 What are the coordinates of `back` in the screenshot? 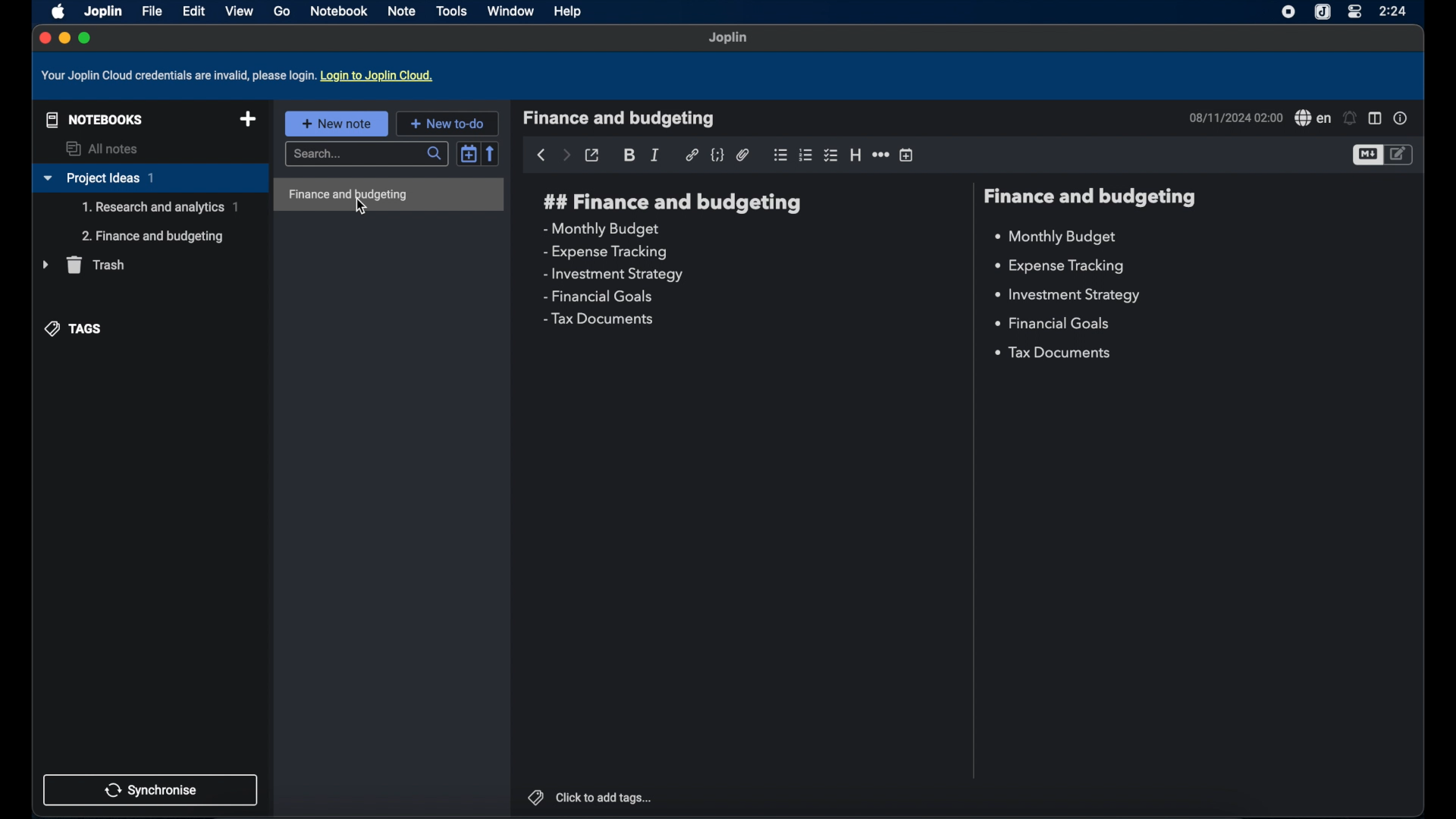 It's located at (541, 155).